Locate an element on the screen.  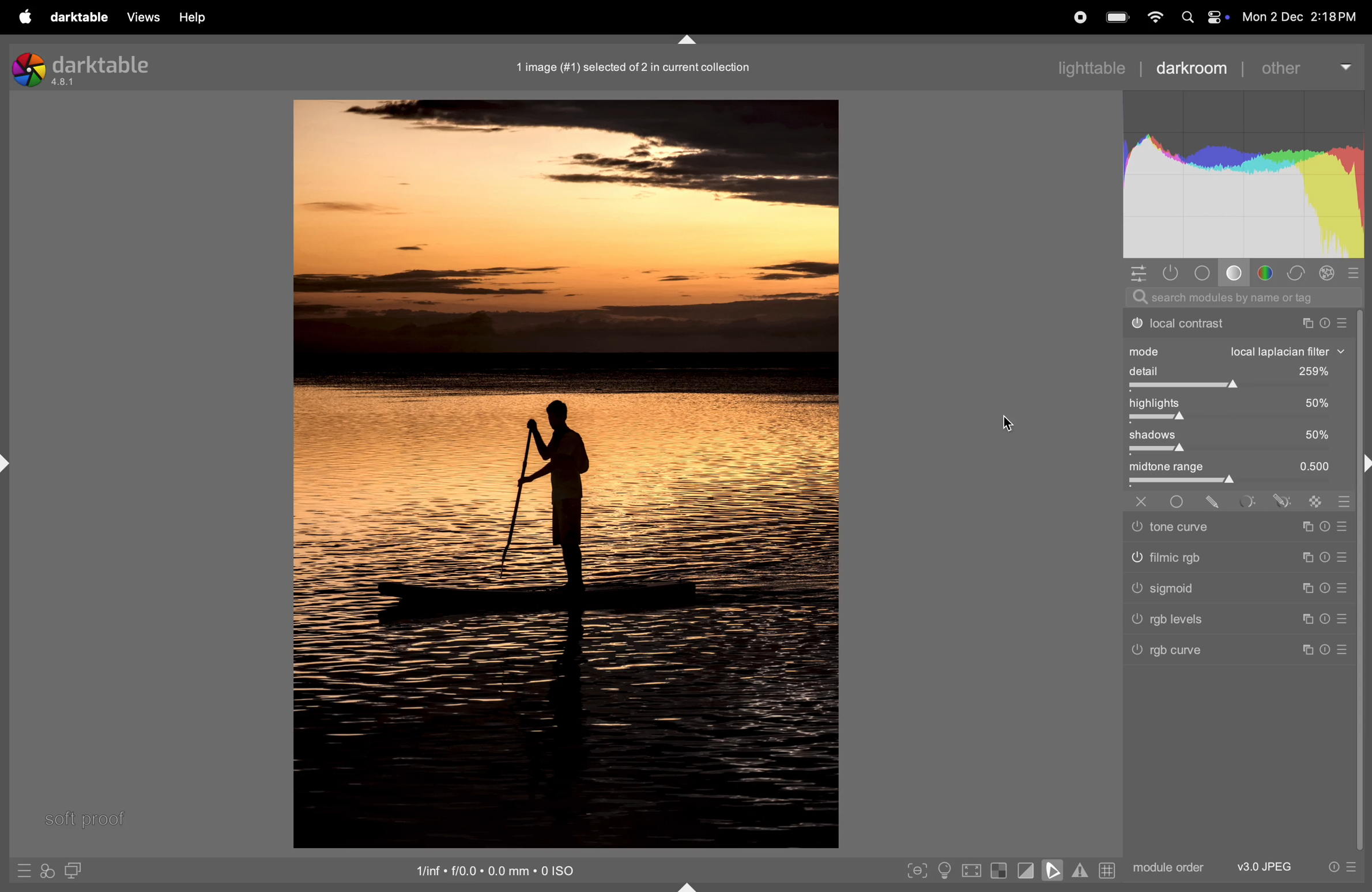
soft proof is located at coordinates (88, 818).